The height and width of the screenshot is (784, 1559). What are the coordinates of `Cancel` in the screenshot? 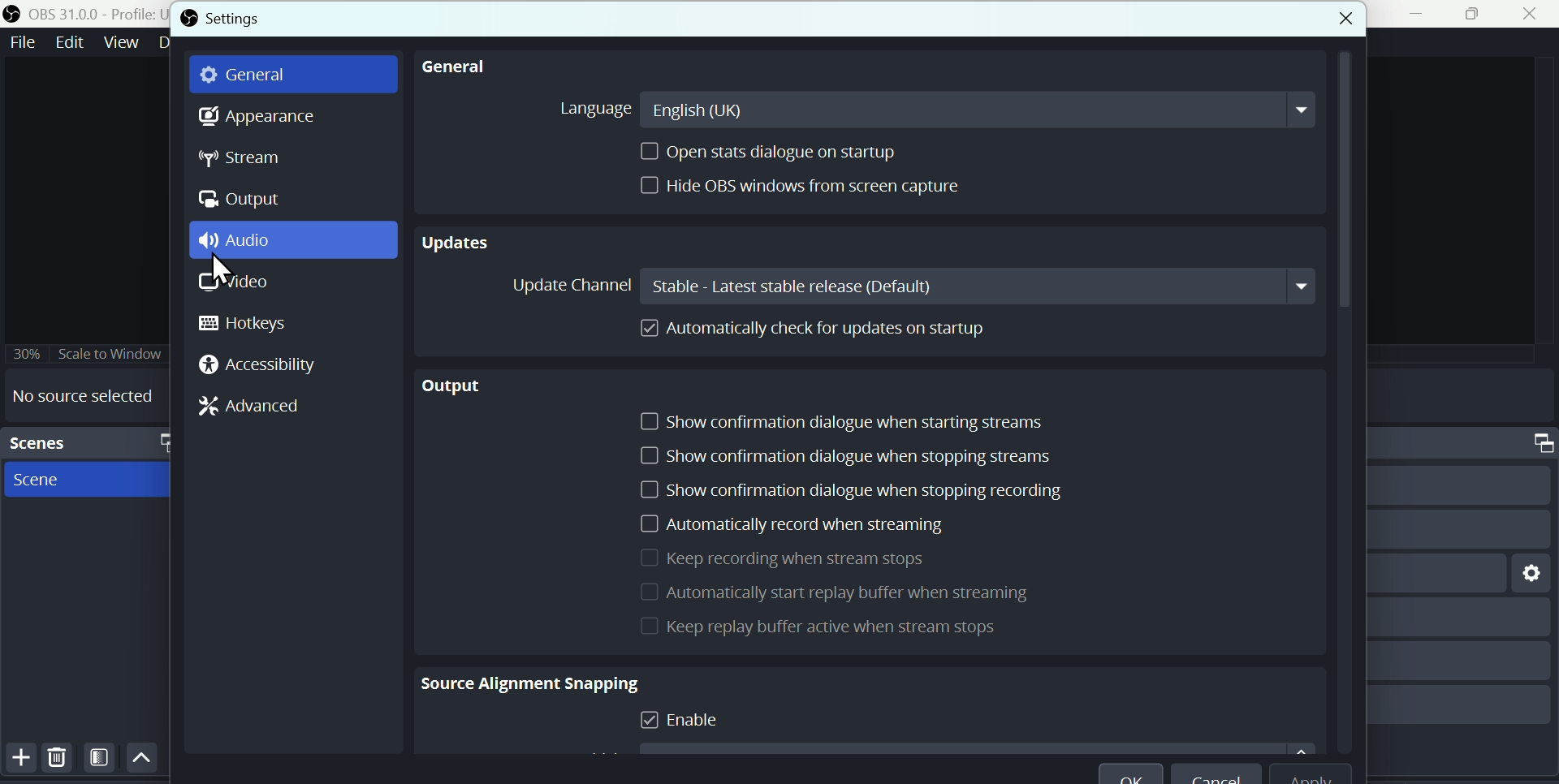 It's located at (1225, 769).